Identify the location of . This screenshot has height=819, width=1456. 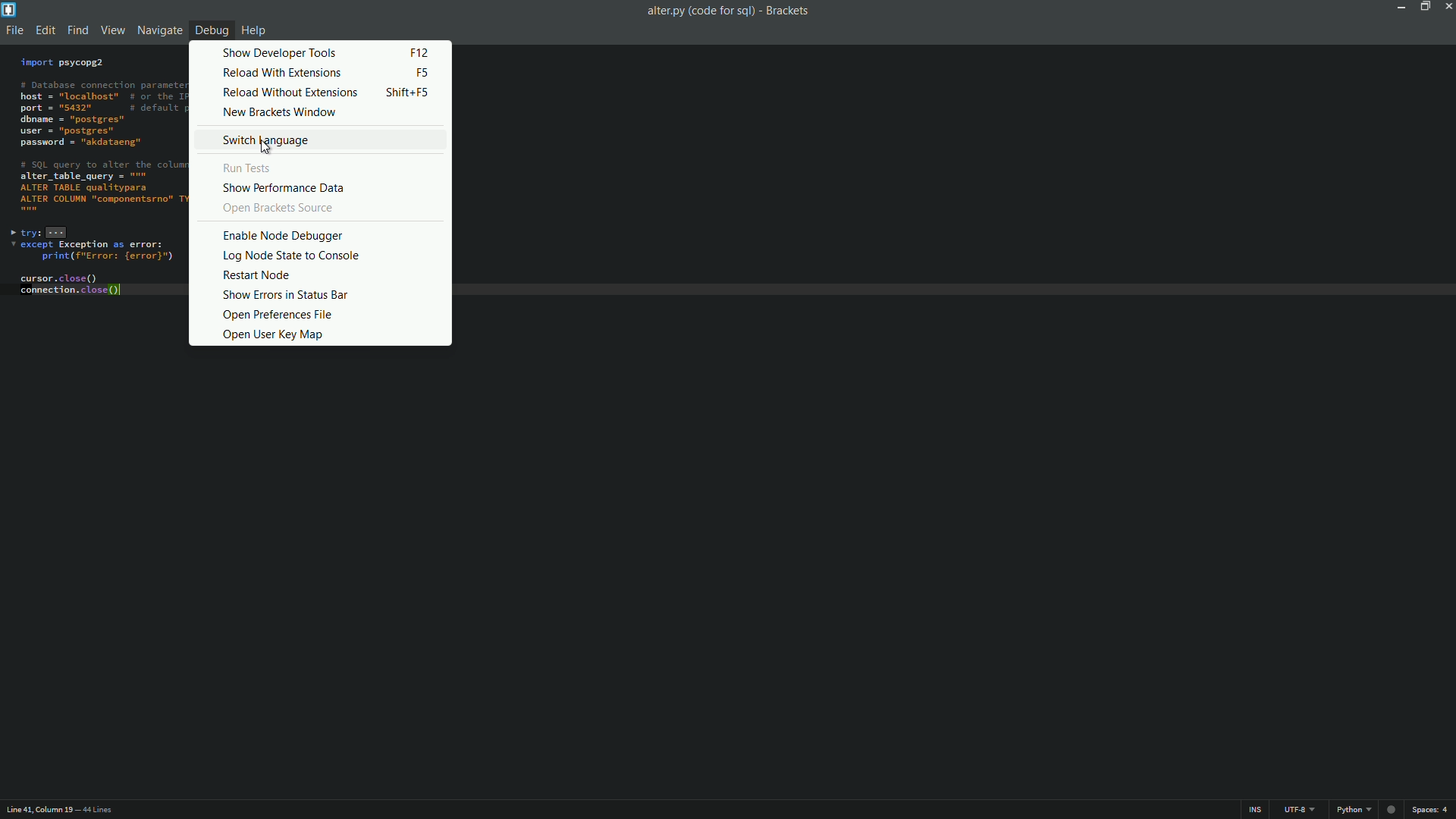
(271, 209).